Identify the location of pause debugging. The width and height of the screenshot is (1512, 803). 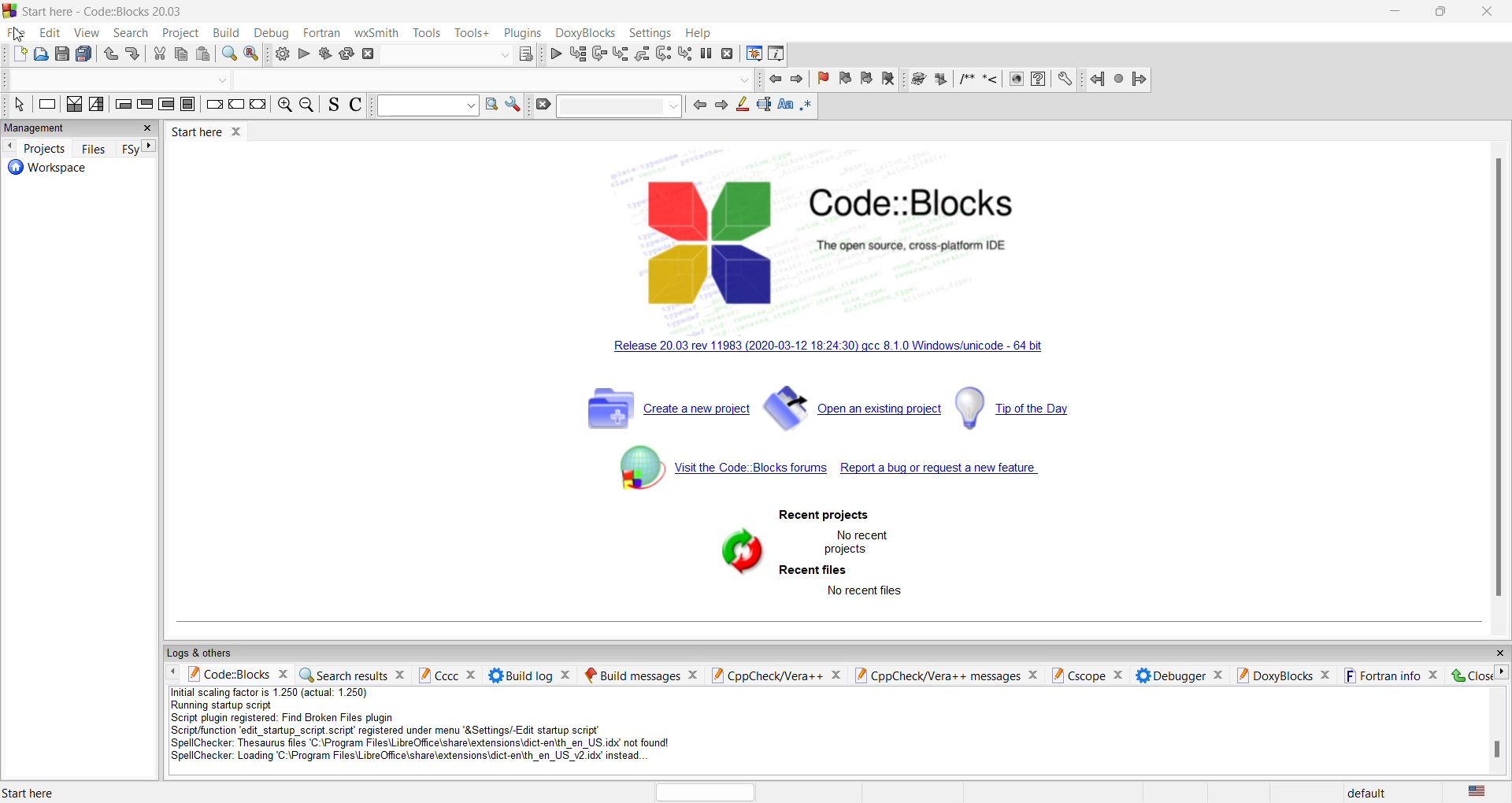
(706, 53).